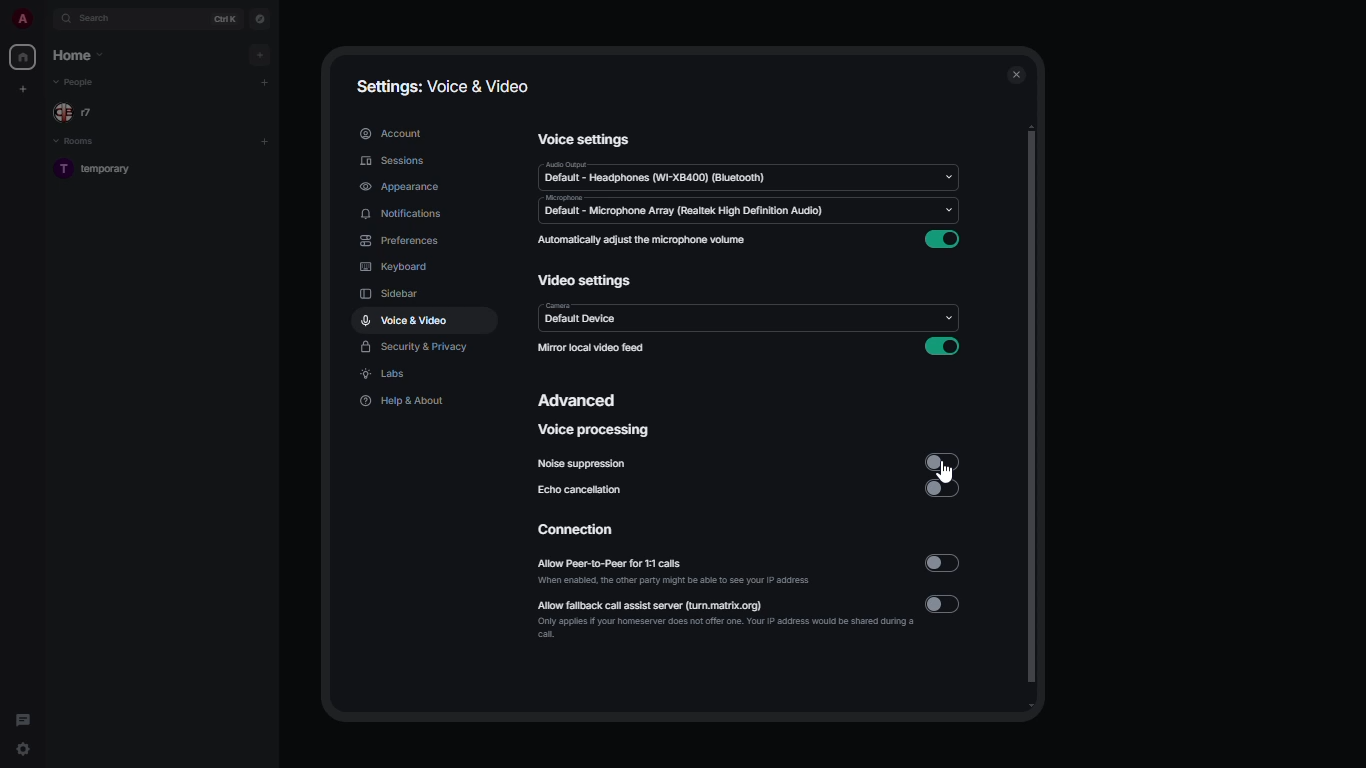 The image size is (1366, 768). Describe the element at coordinates (941, 461) in the screenshot. I see `disabled` at that location.